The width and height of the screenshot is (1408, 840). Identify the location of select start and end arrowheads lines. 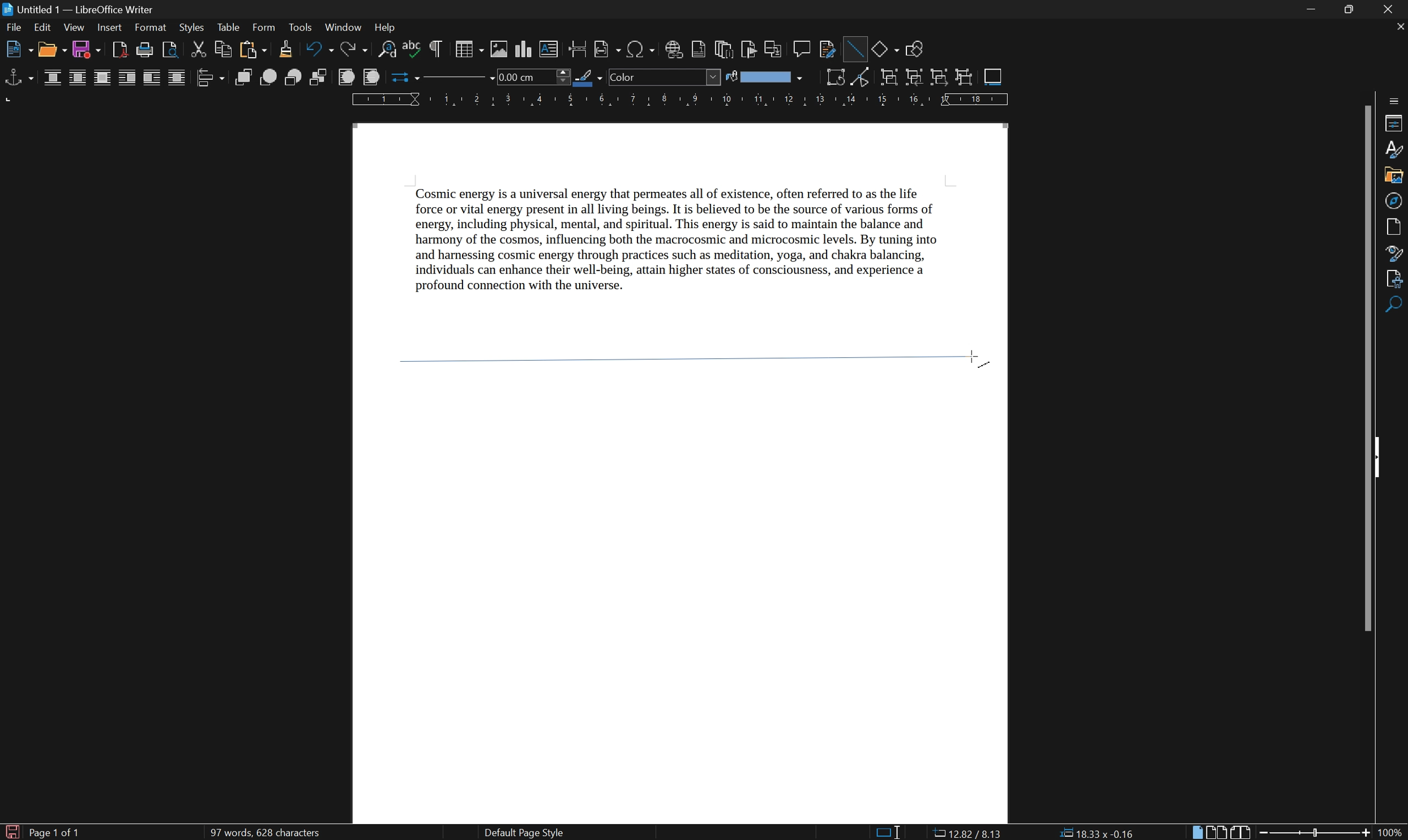
(401, 78).